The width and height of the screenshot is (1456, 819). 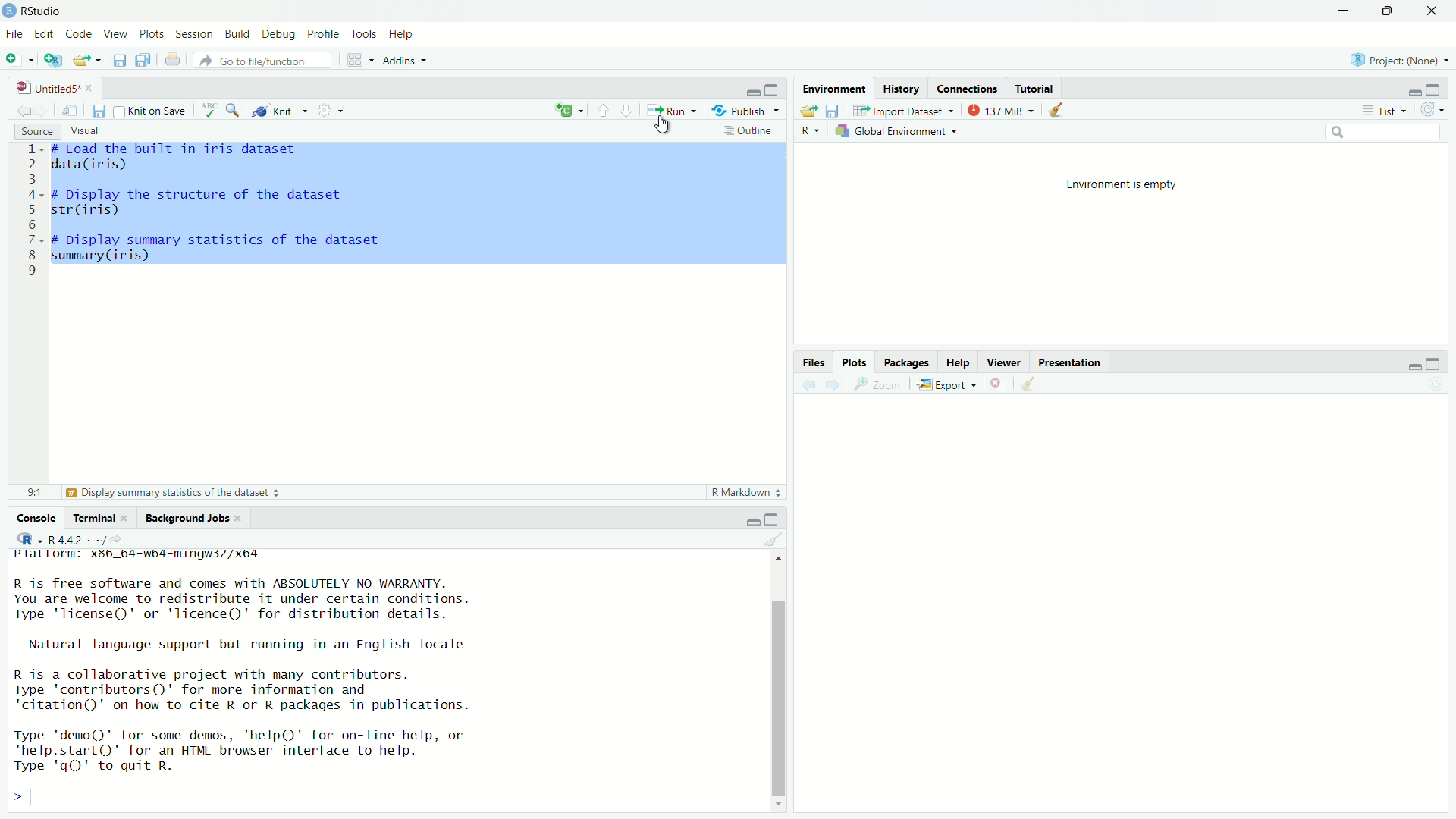 I want to click on 814, so click(x=36, y=492).